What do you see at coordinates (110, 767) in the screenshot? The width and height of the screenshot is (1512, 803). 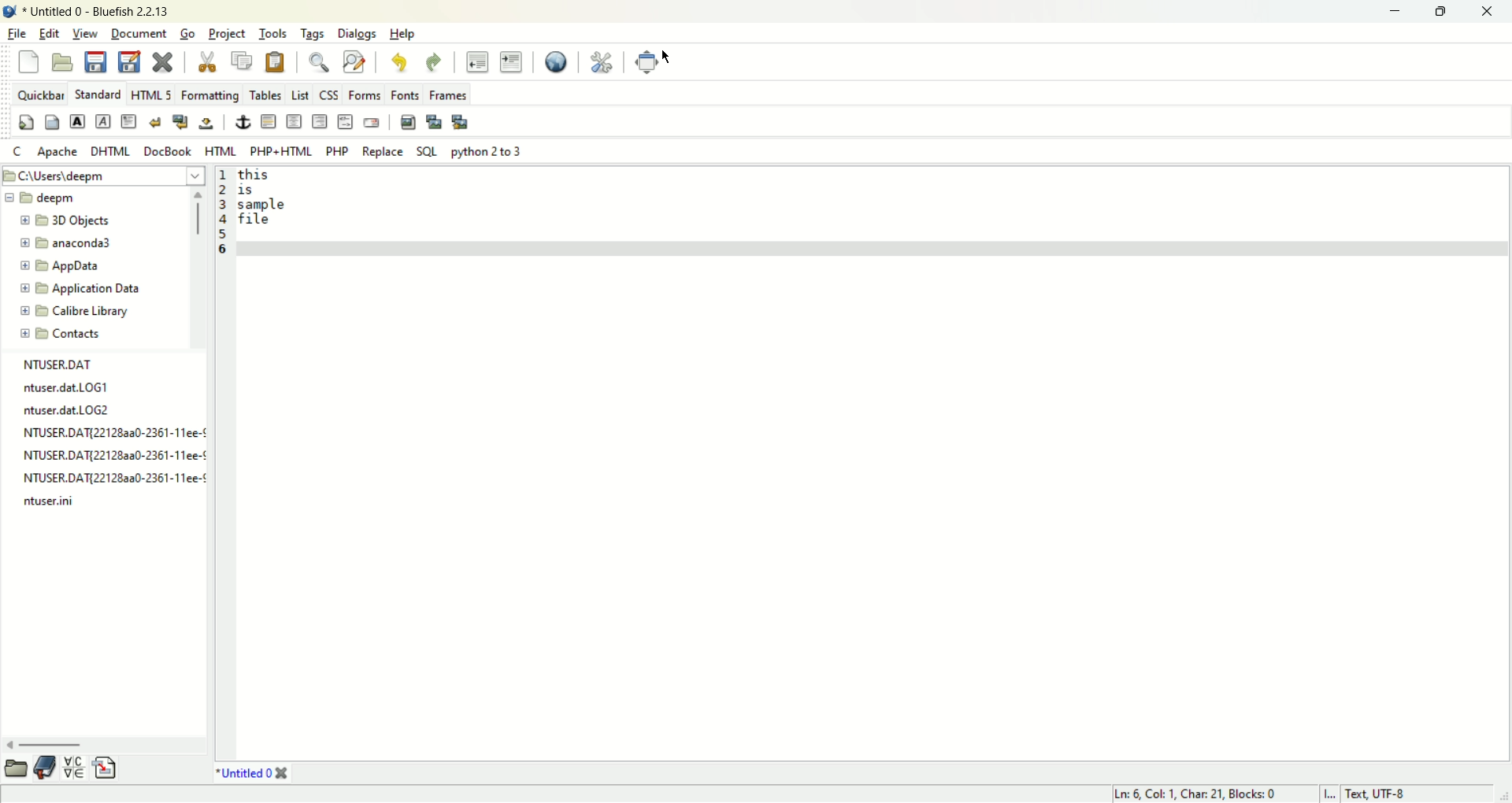 I see `insert file` at bounding box center [110, 767].